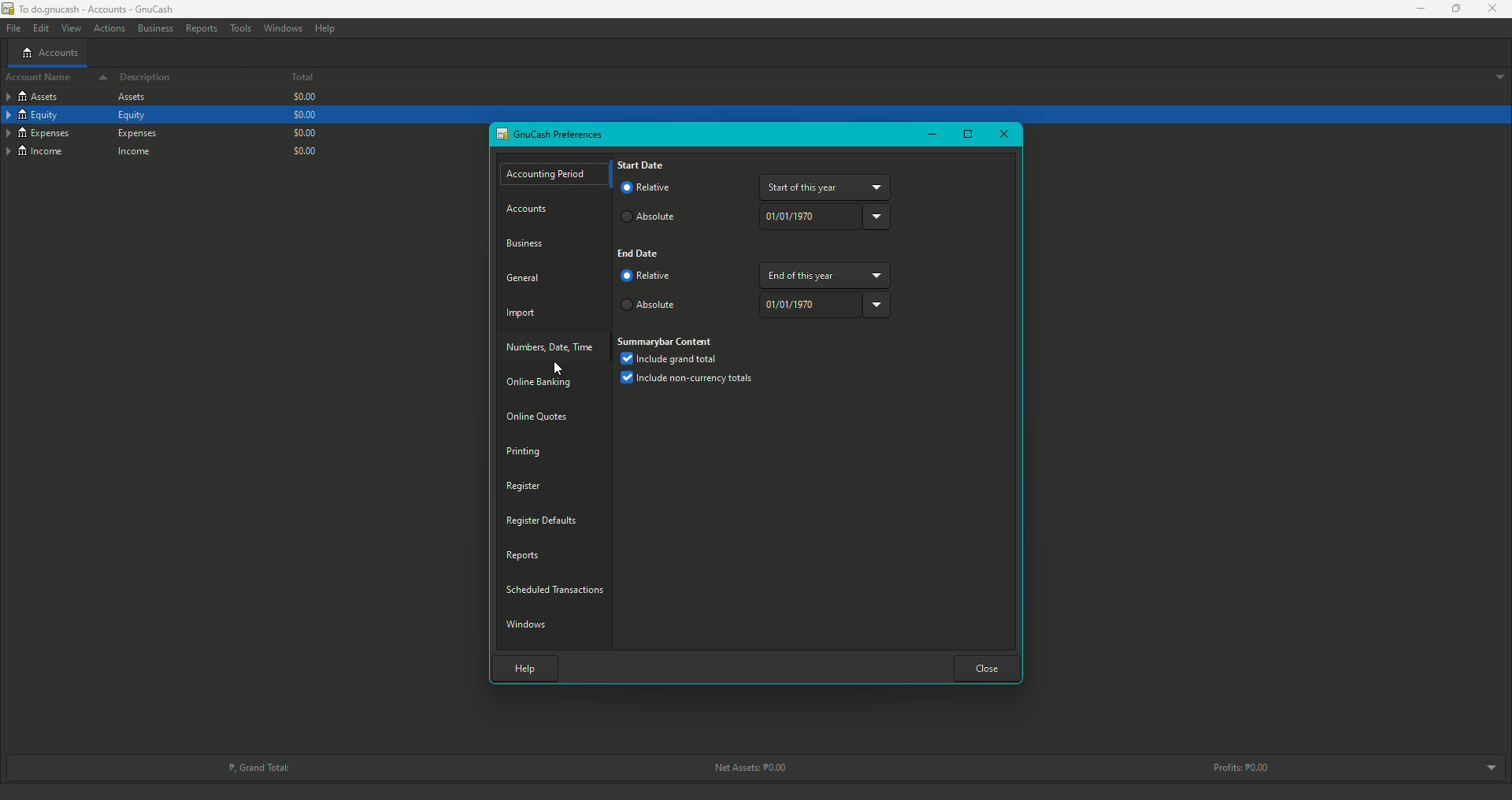 The height and width of the screenshot is (800, 1512). What do you see at coordinates (524, 451) in the screenshot?
I see `Printing` at bounding box center [524, 451].